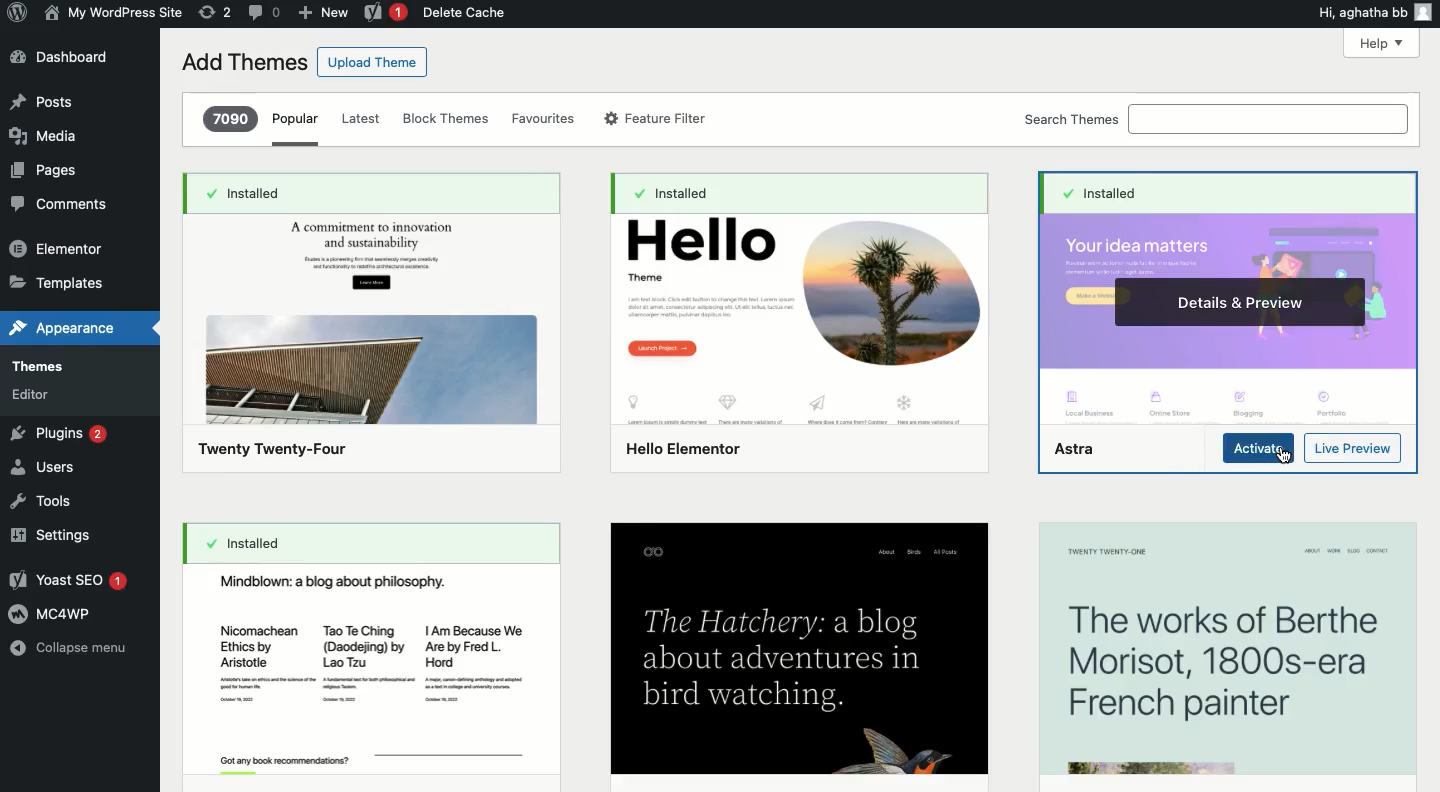 The height and width of the screenshot is (792, 1440). Describe the element at coordinates (366, 672) in the screenshot. I see `Mindblown: a blog about philosophy.Nicomachean ~ TaoTeChing | Am Because WeEthics by (Daodejing) by ~~ Are by Fred L.Aristotle Lao Tzu Hord,Got any book rcommendionss?` at that location.